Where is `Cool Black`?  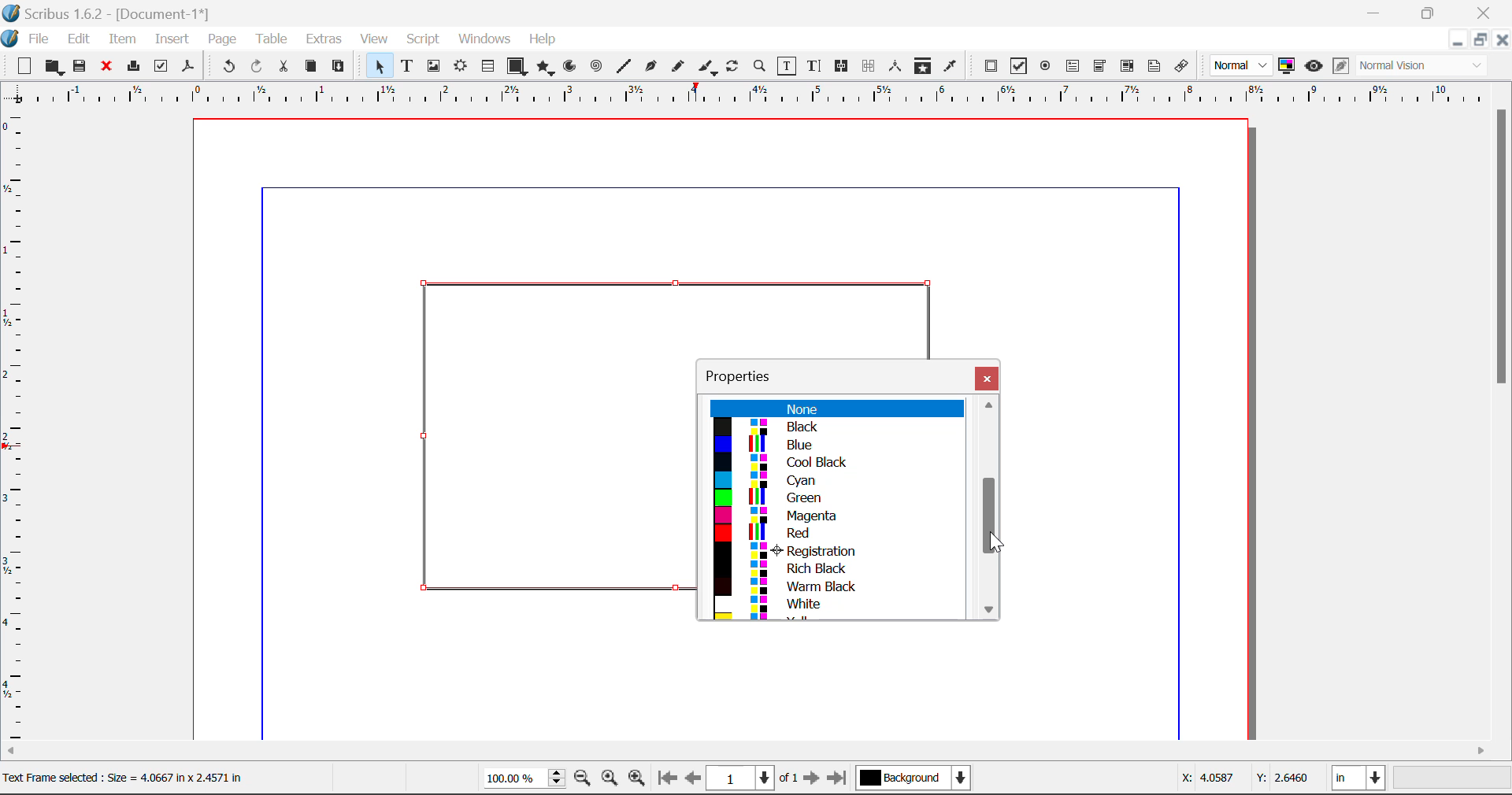 Cool Black is located at coordinates (836, 463).